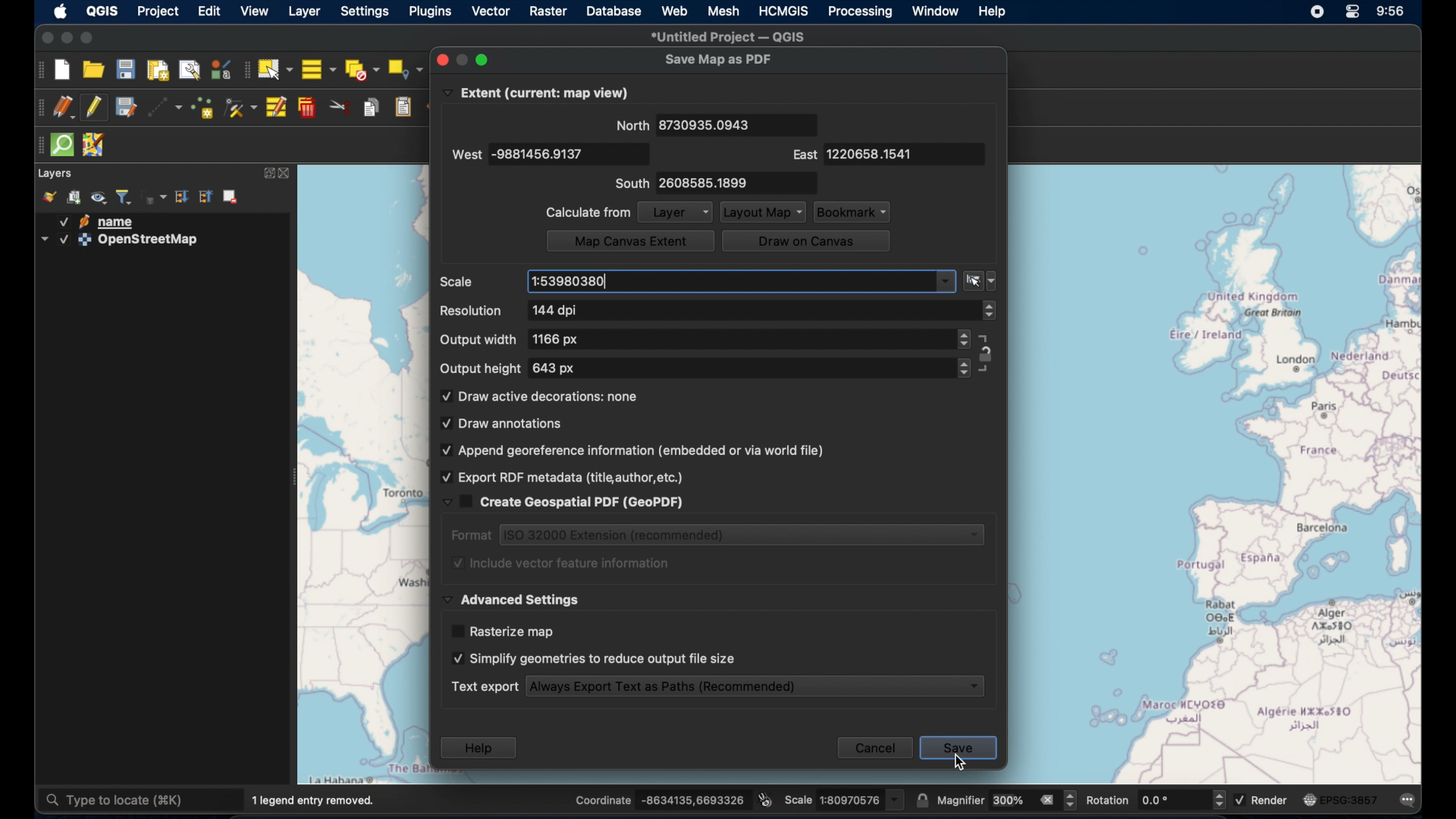 Image resolution: width=1456 pixels, height=819 pixels. Describe the element at coordinates (124, 196) in the screenshot. I see `filter layer` at that location.